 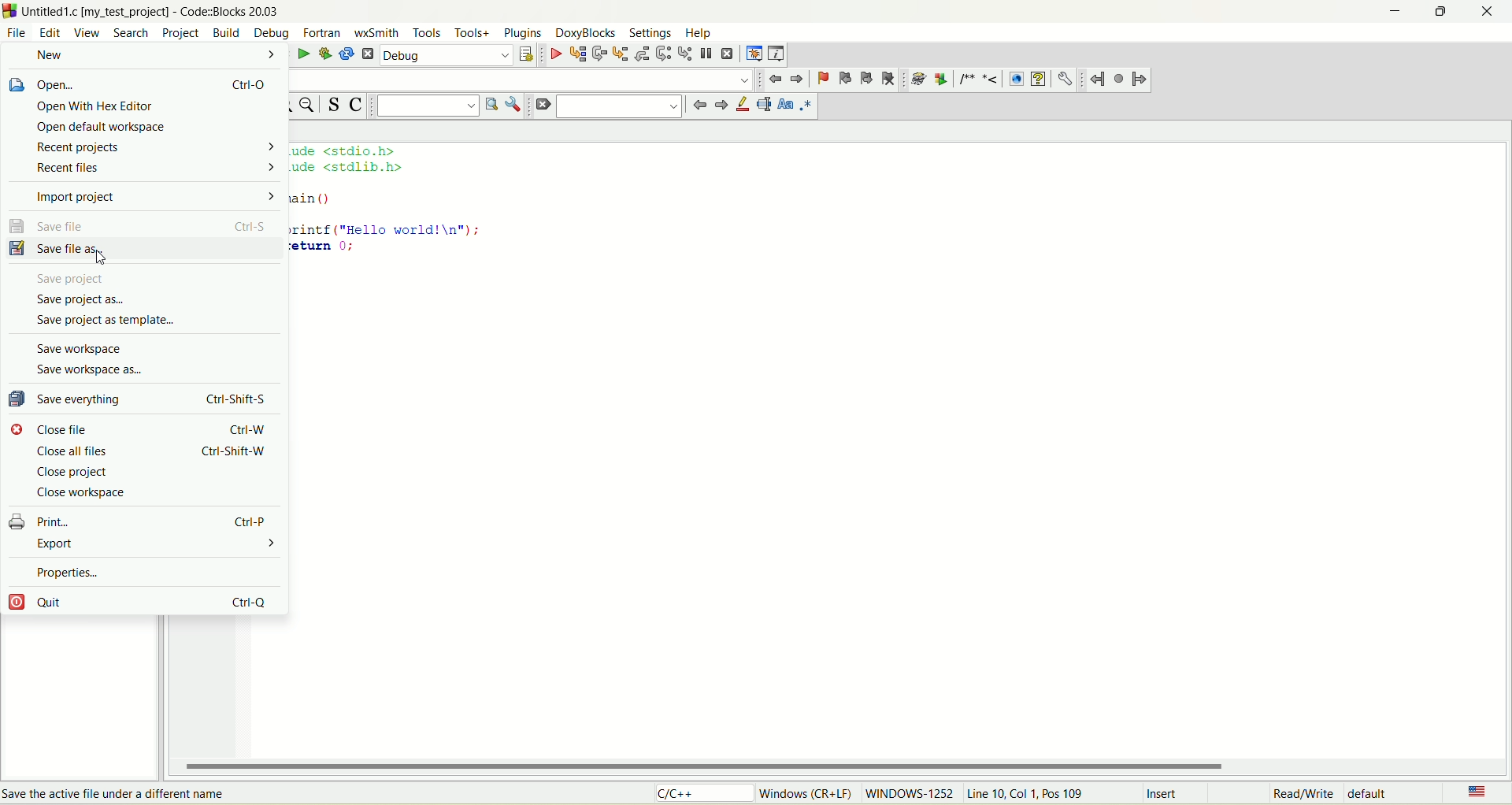 I want to click on windows, so click(x=809, y=792).